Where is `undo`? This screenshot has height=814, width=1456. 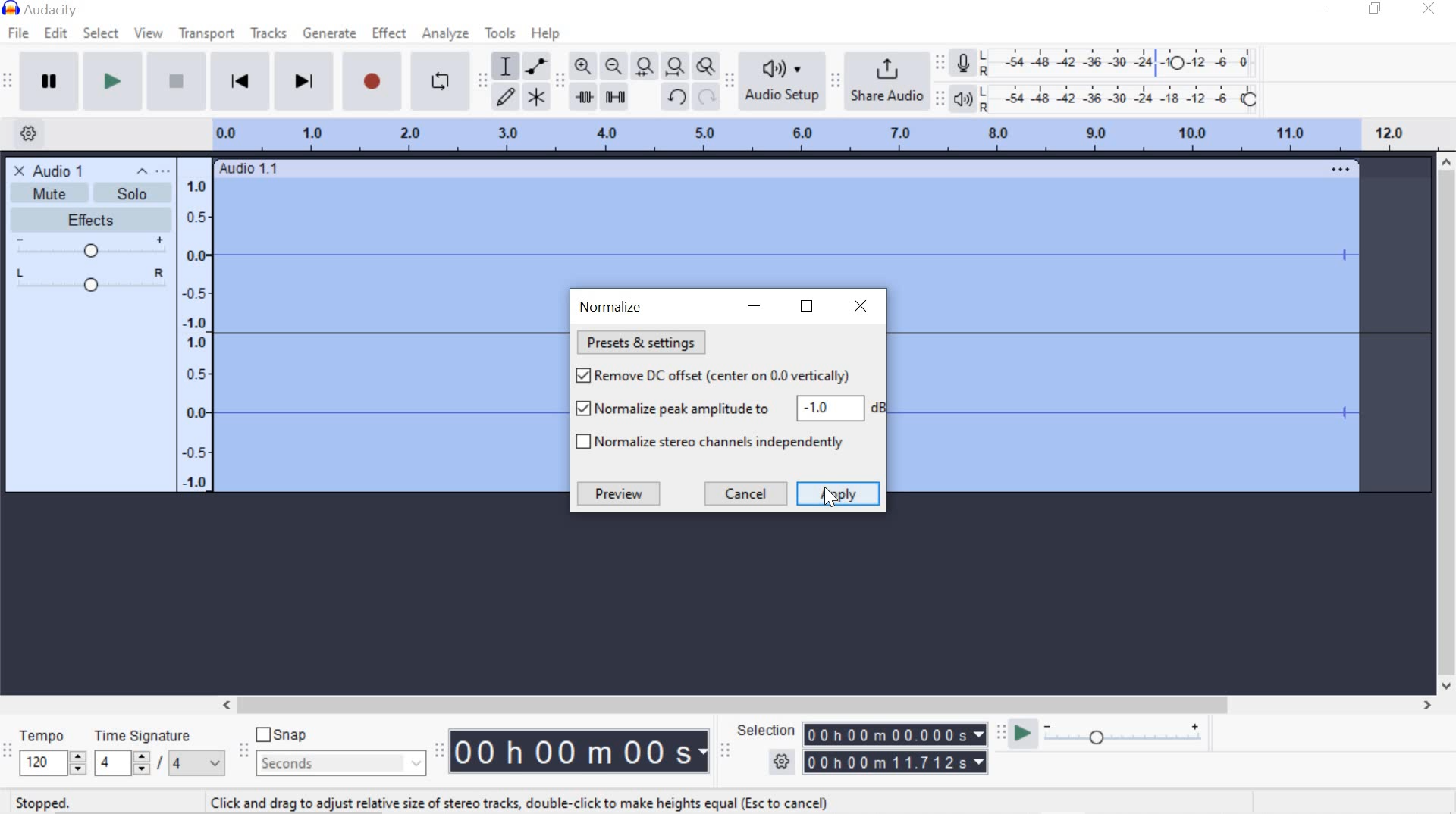 undo is located at coordinates (676, 96).